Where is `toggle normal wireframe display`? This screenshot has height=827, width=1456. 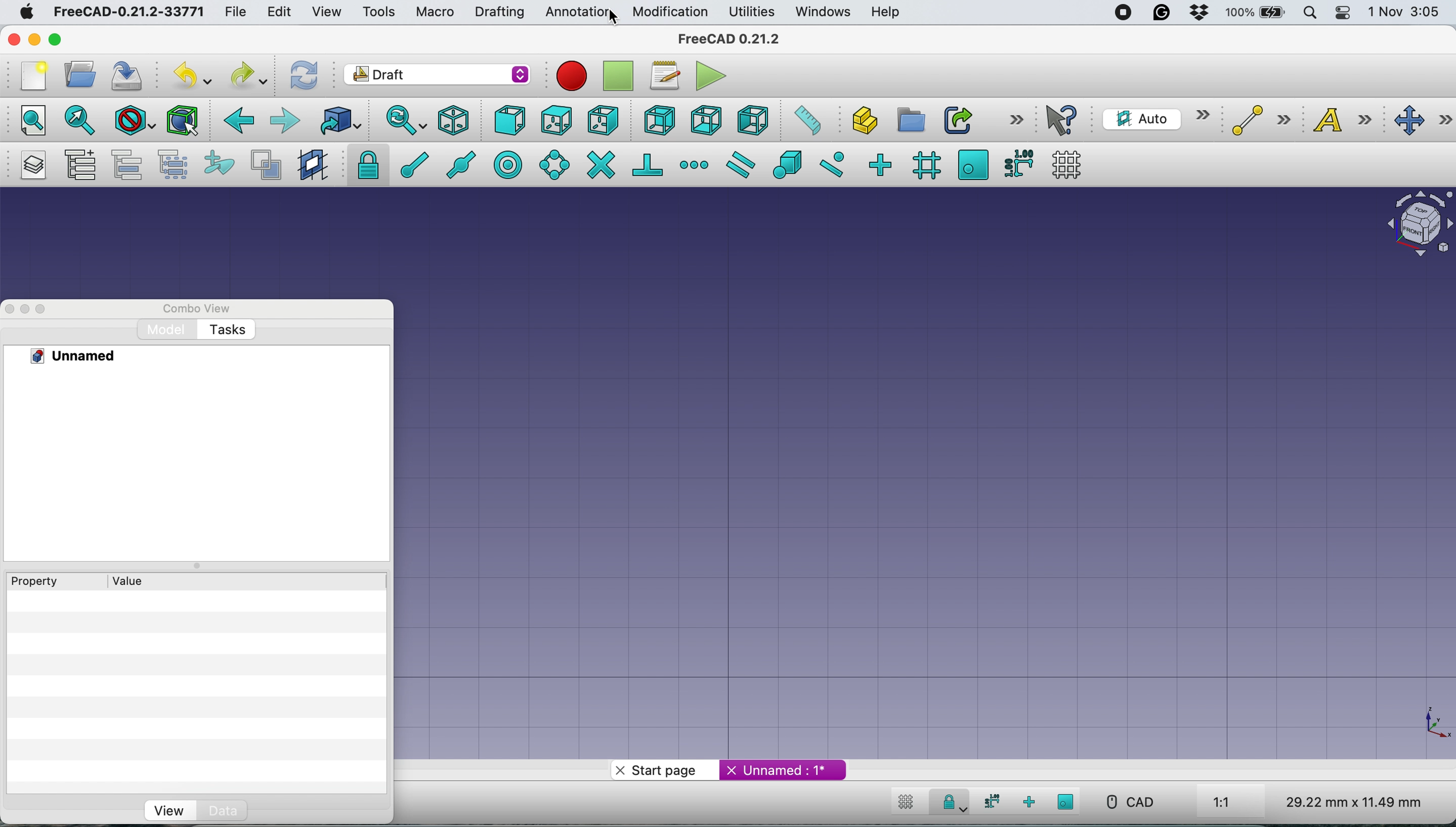 toggle normal wireframe display is located at coordinates (265, 164).